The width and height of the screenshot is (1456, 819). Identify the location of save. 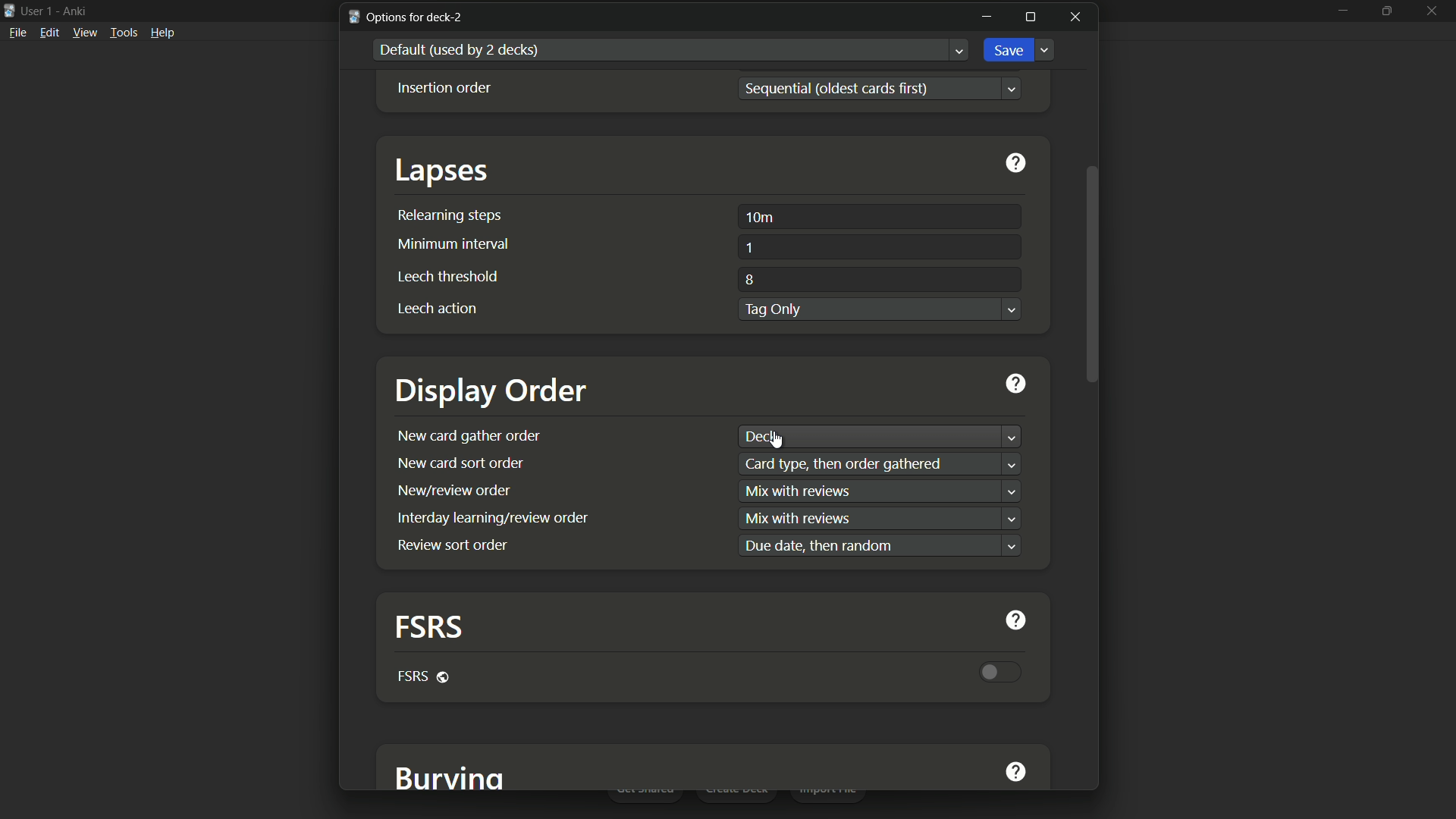
(1009, 50).